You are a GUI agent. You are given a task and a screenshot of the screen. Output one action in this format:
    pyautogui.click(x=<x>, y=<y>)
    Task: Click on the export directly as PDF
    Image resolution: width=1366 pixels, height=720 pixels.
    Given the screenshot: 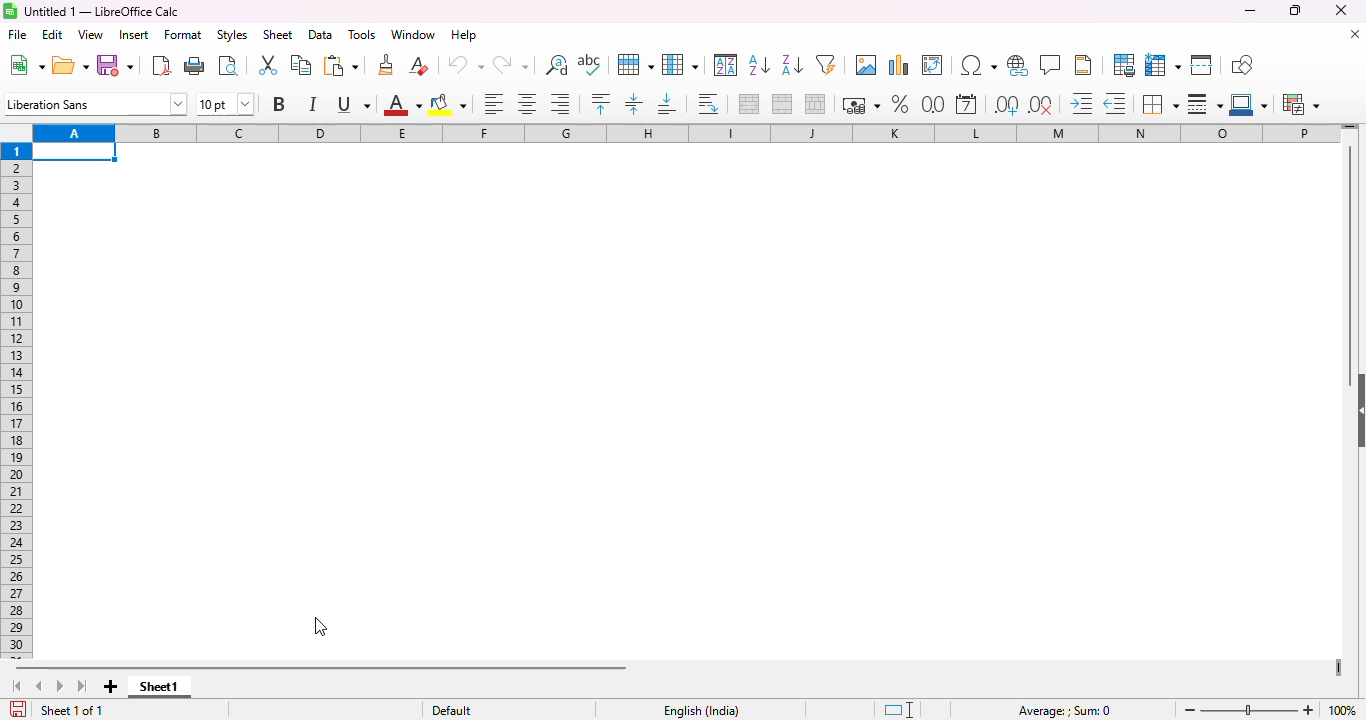 What is the action you would take?
    pyautogui.click(x=161, y=65)
    